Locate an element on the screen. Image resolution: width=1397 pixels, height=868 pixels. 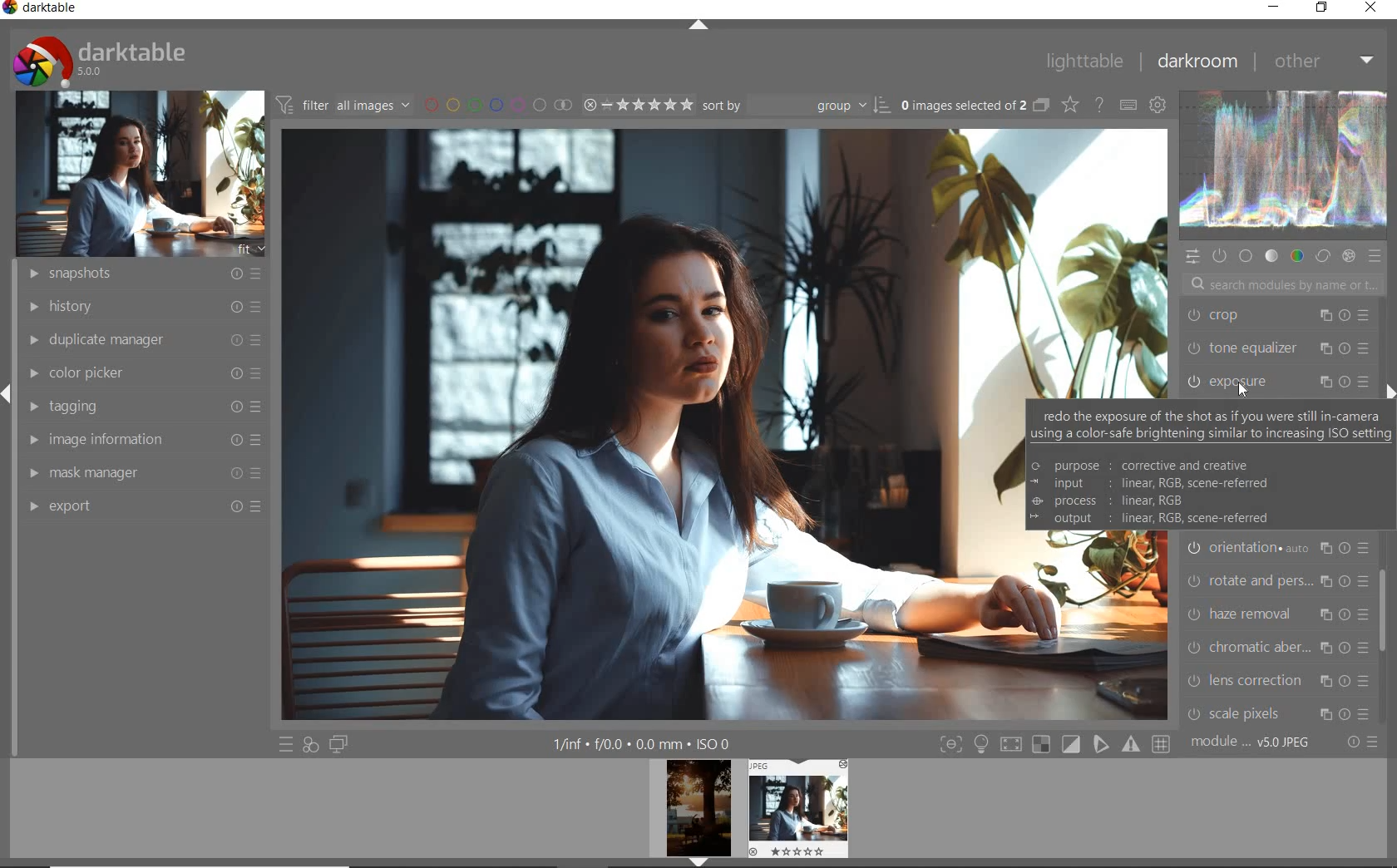
SHOW GLOBAL PREFERENCE is located at coordinates (1159, 105).